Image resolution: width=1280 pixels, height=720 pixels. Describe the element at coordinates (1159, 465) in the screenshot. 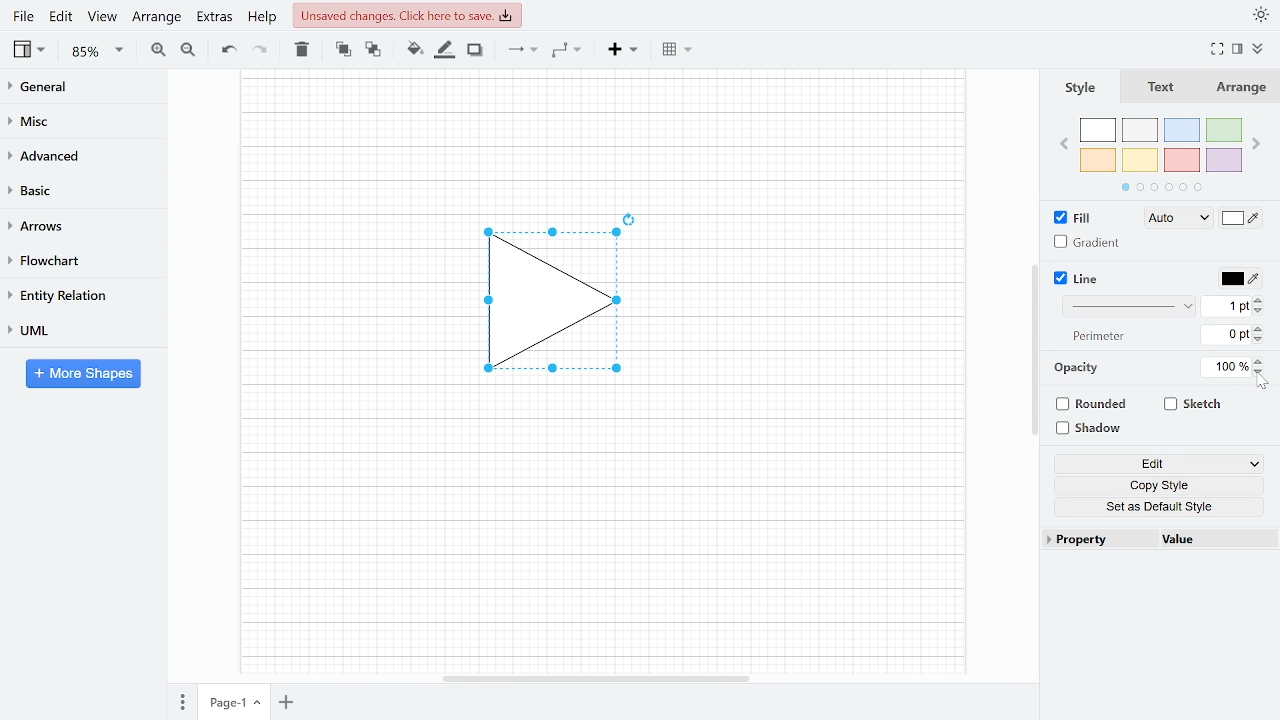

I see `Edit` at that location.